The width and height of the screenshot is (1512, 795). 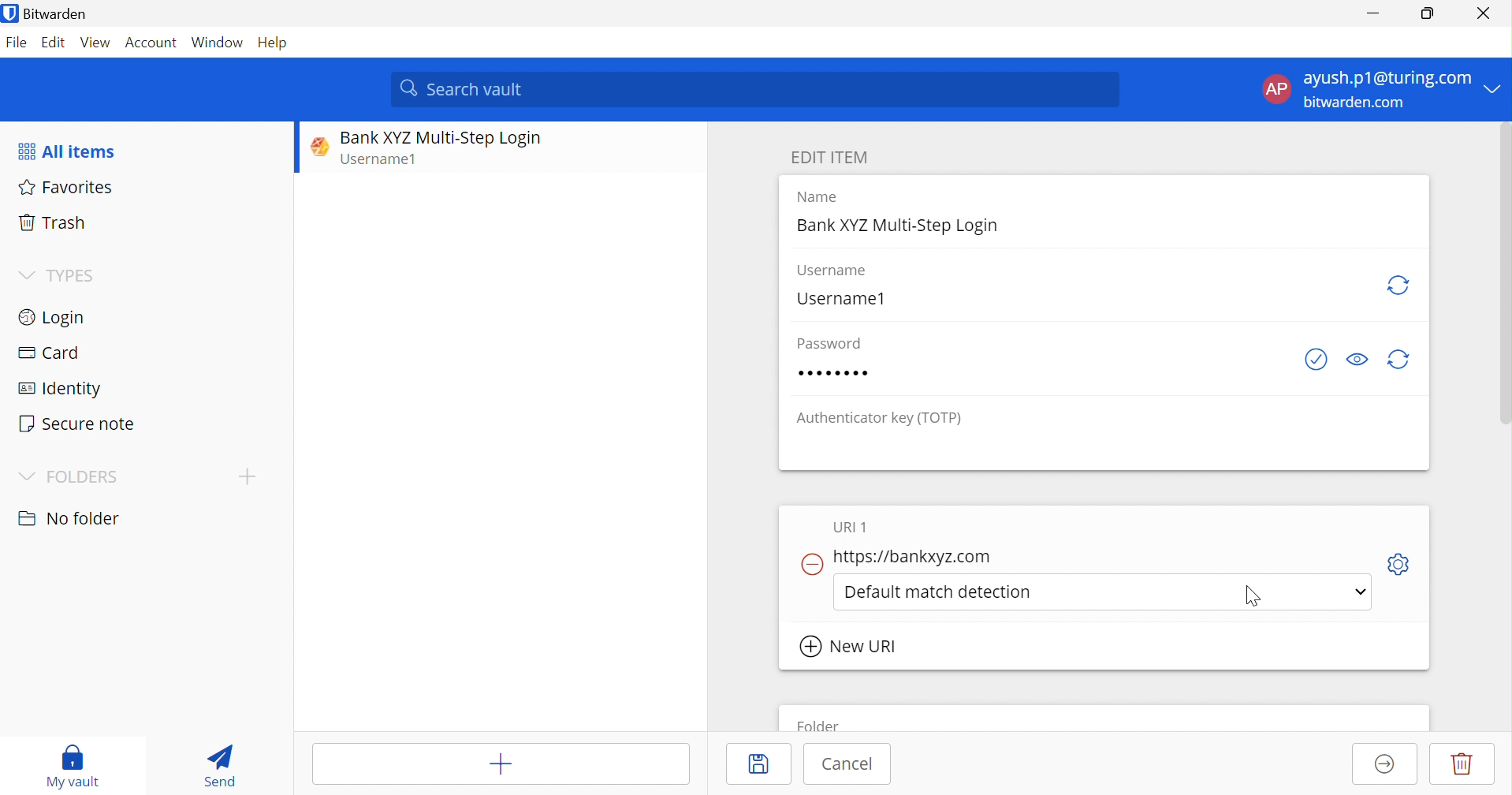 What do you see at coordinates (248, 476) in the screenshot?
I see `Add folder` at bounding box center [248, 476].